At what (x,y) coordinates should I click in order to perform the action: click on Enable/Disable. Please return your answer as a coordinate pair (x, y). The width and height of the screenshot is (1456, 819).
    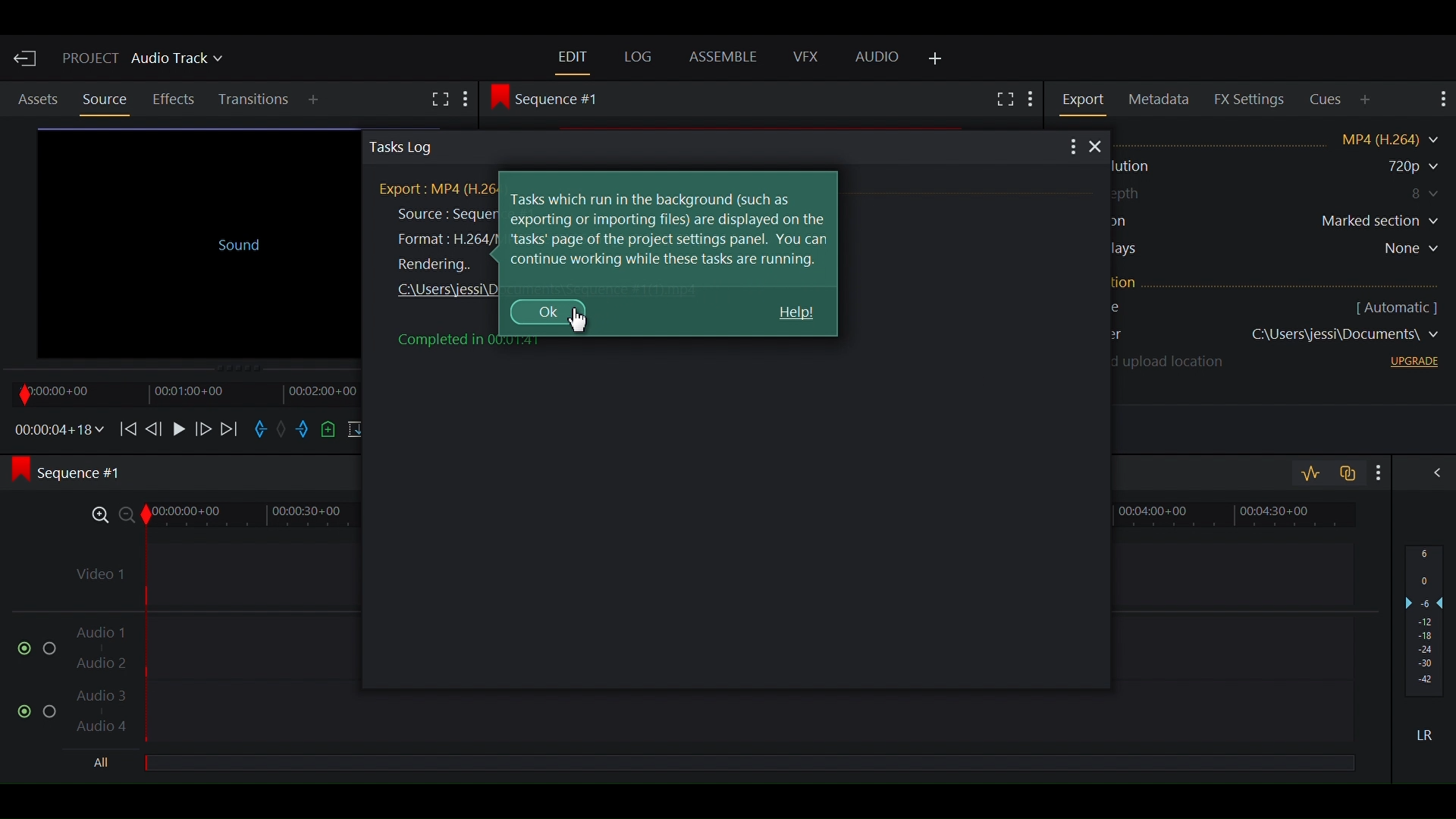
    Looking at the image, I should click on (38, 708).